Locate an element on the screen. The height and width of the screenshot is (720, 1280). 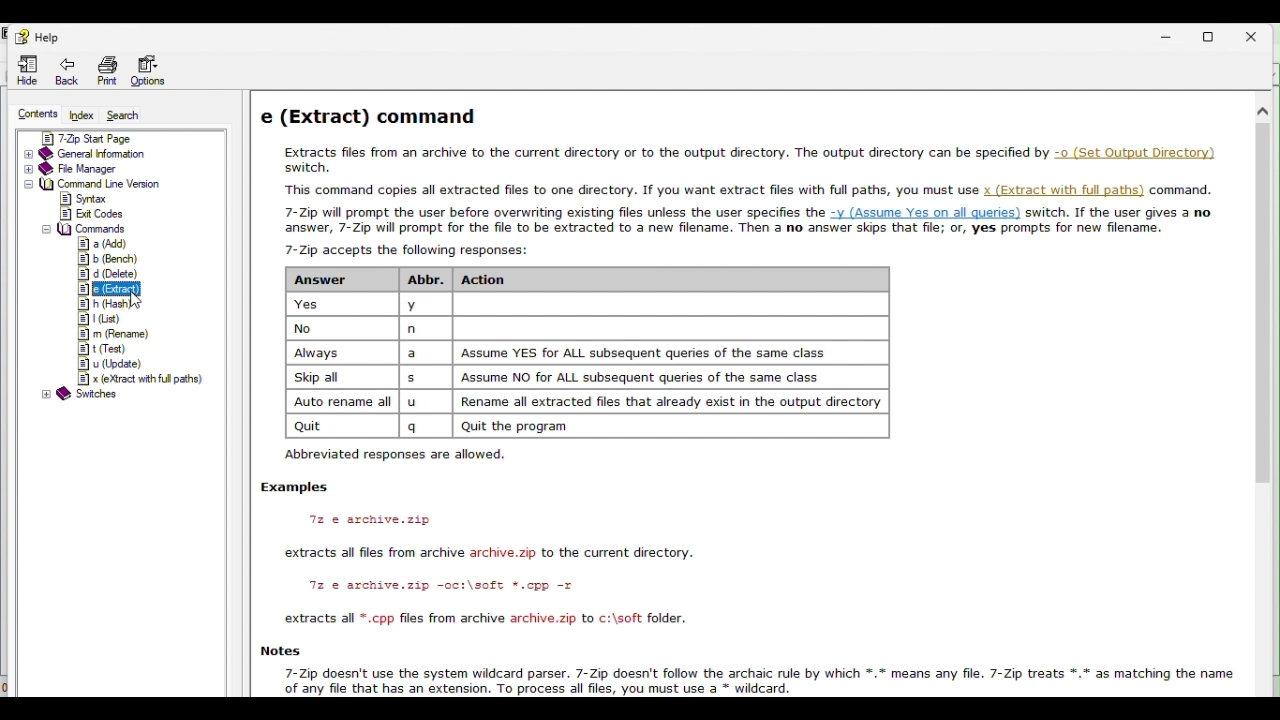
Search is located at coordinates (120, 114).